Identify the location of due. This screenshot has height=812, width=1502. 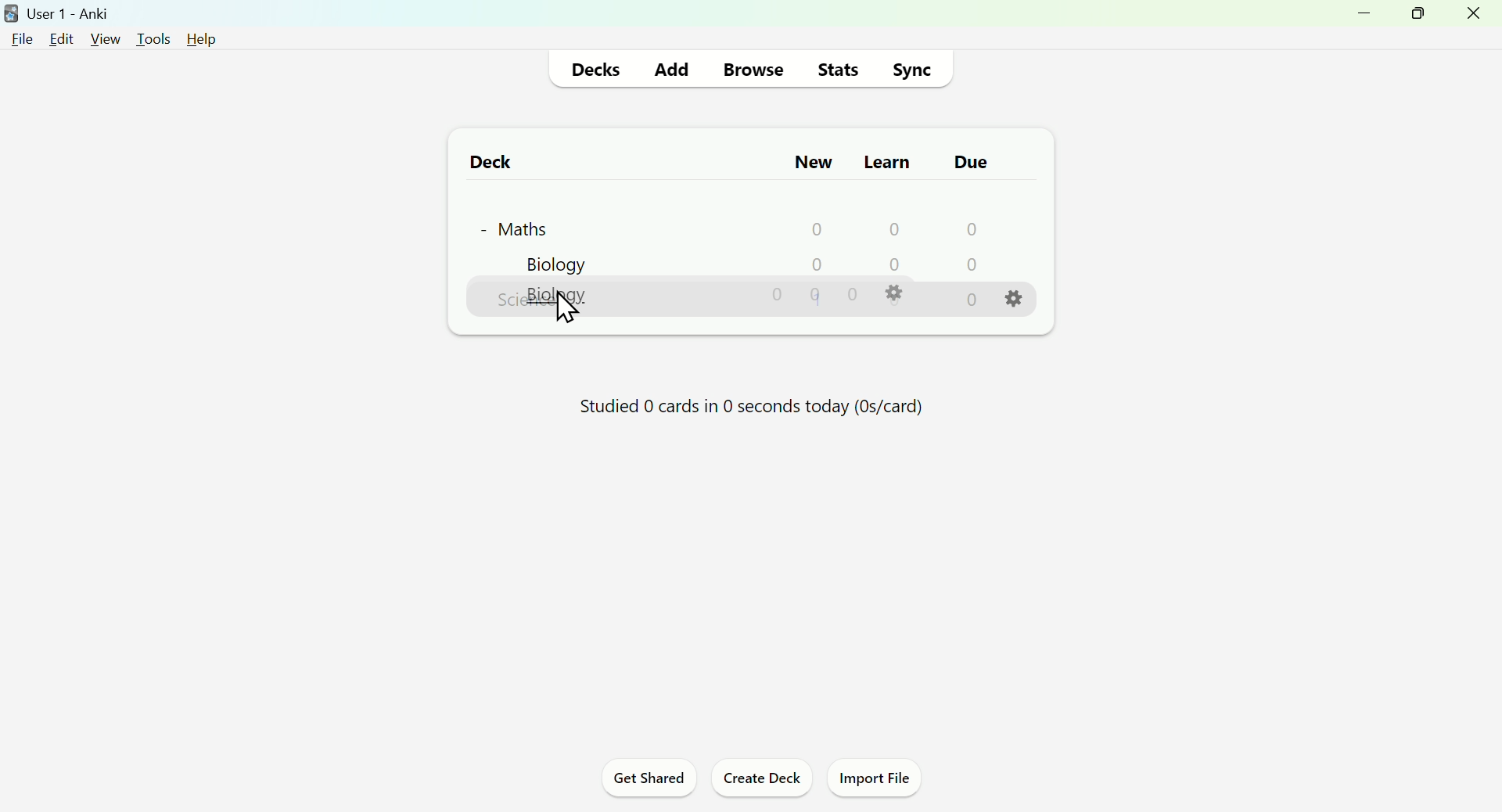
(972, 163).